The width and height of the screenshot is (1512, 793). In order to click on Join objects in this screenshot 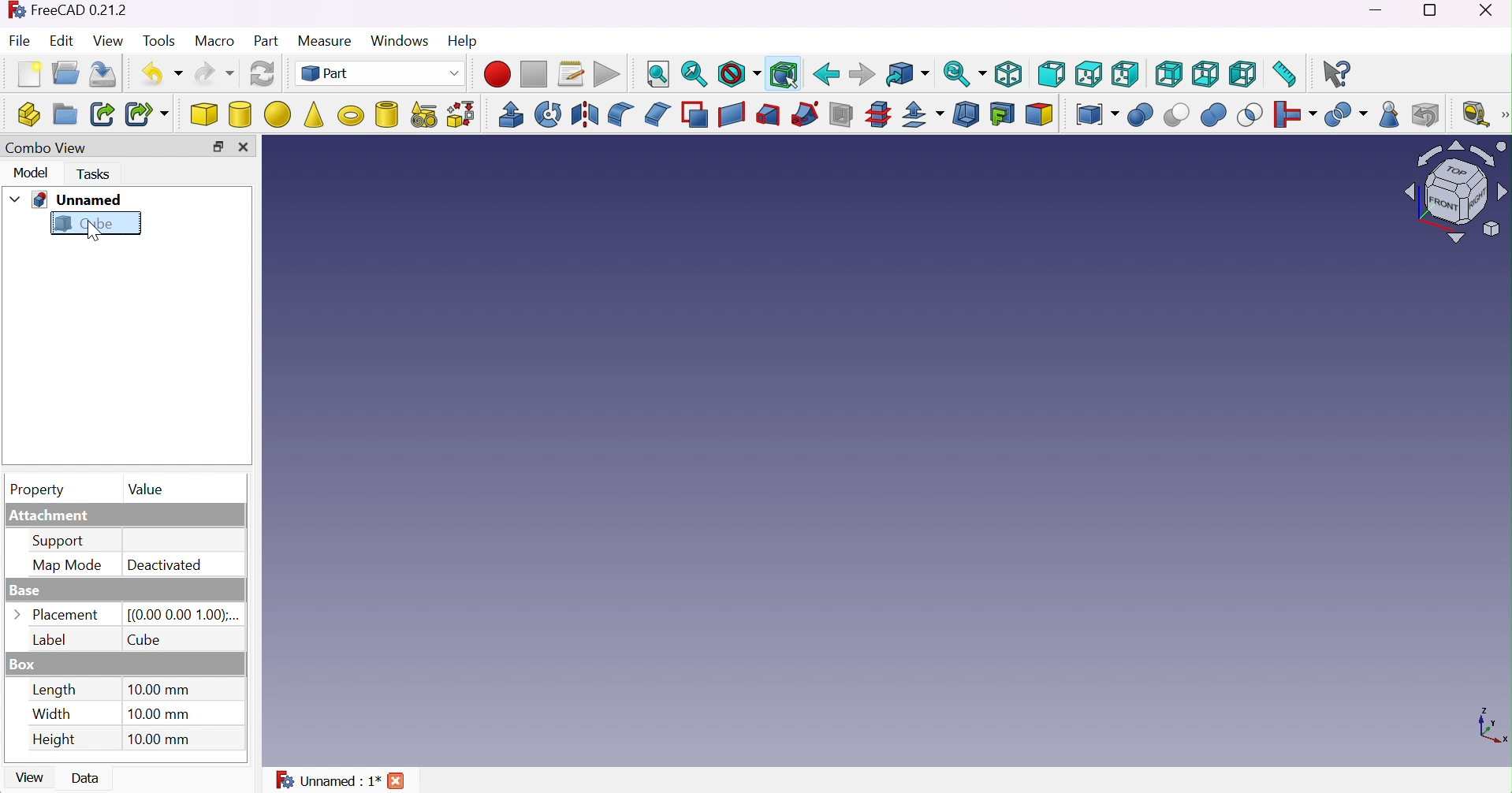, I will do `click(1295, 114)`.